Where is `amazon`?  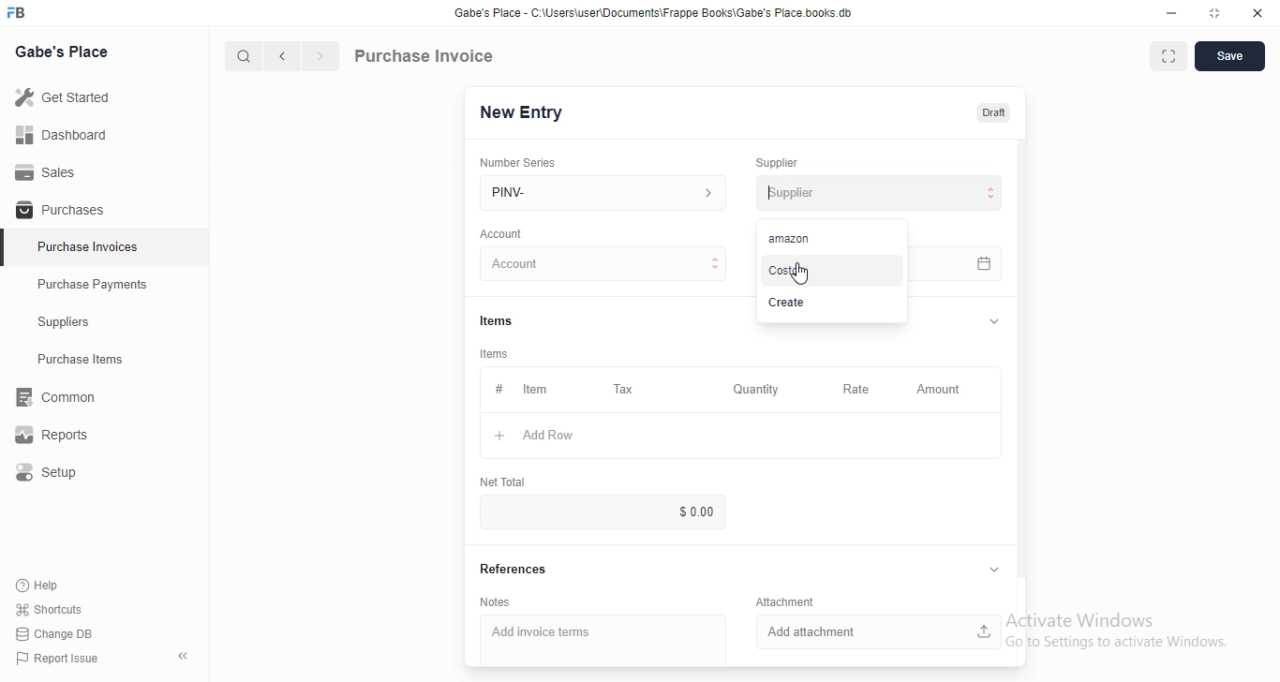 amazon is located at coordinates (832, 239).